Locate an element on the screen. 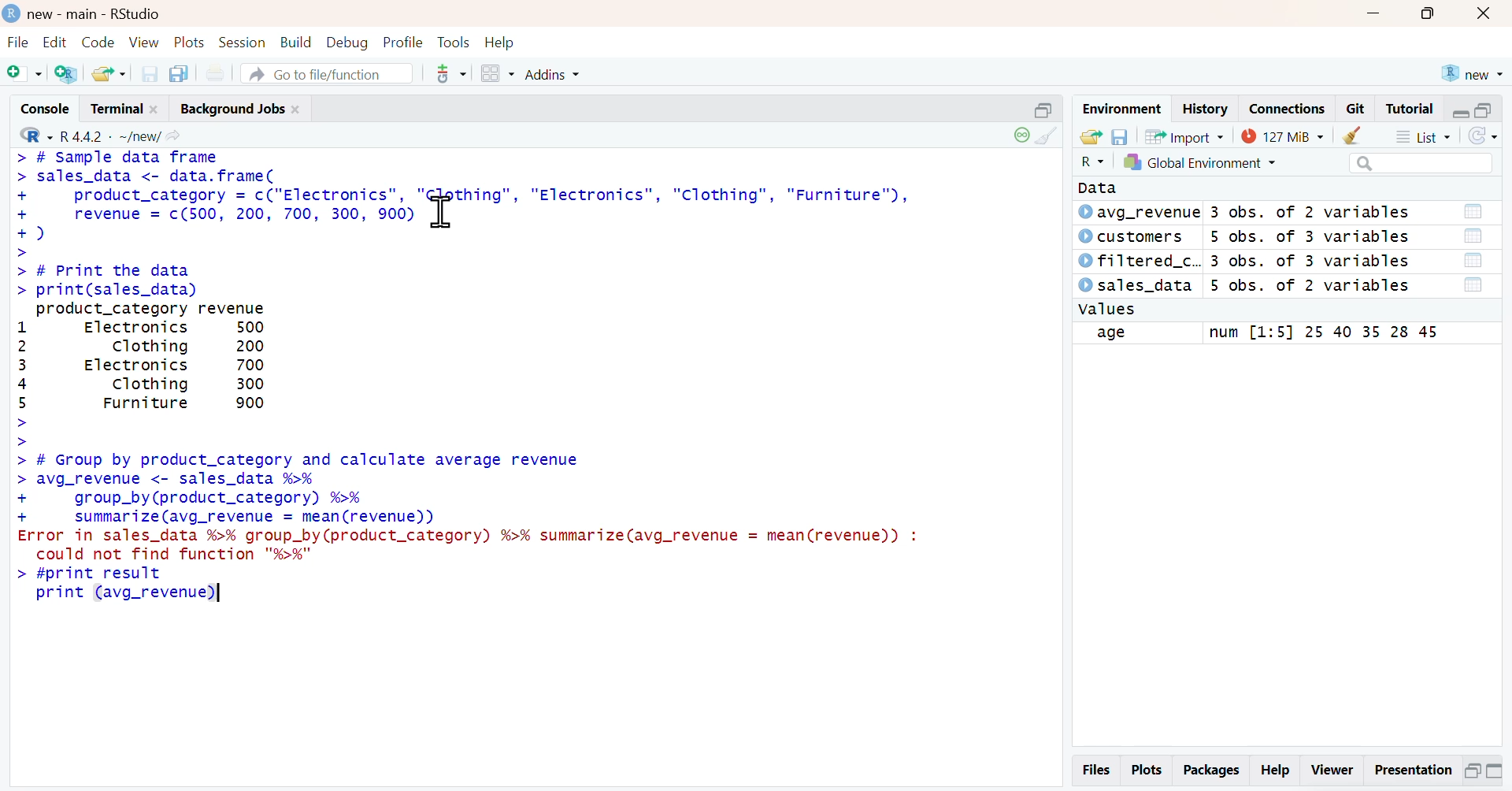 The image size is (1512, 791). Addins is located at coordinates (550, 74).